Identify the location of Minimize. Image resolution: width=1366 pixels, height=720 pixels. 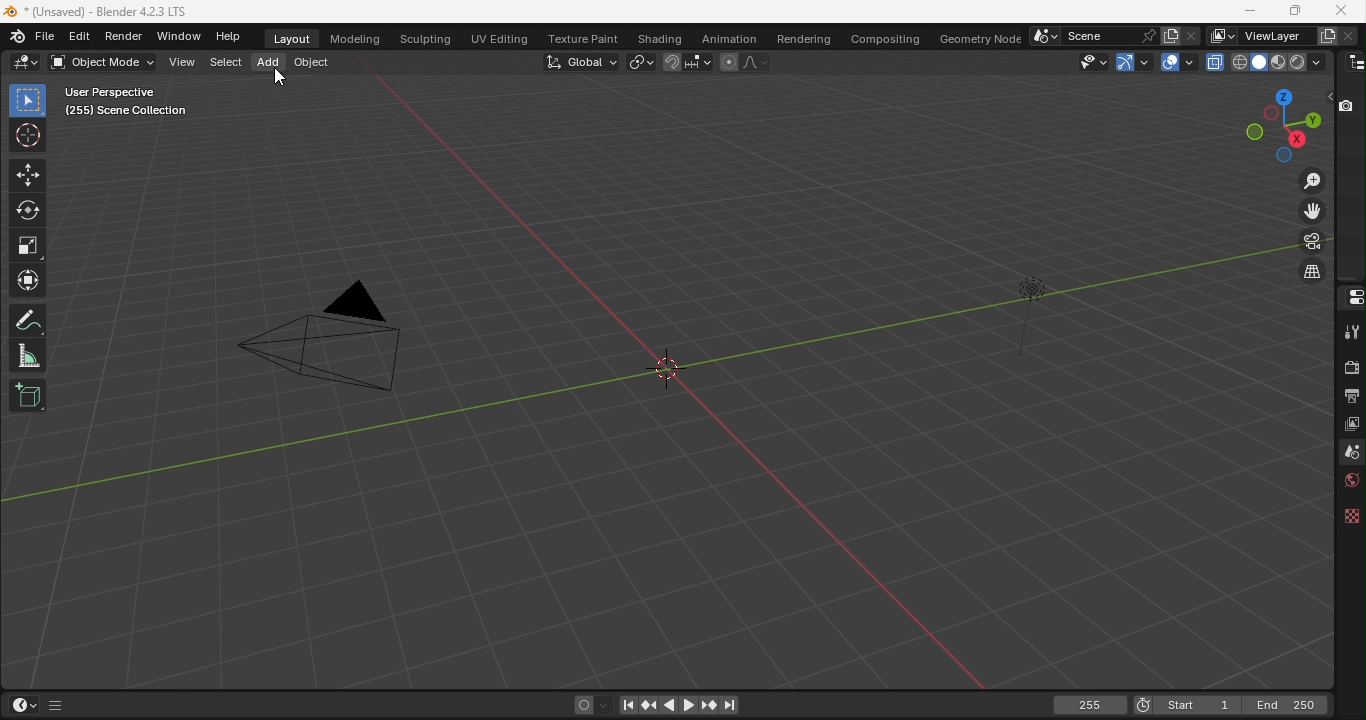
(1247, 11).